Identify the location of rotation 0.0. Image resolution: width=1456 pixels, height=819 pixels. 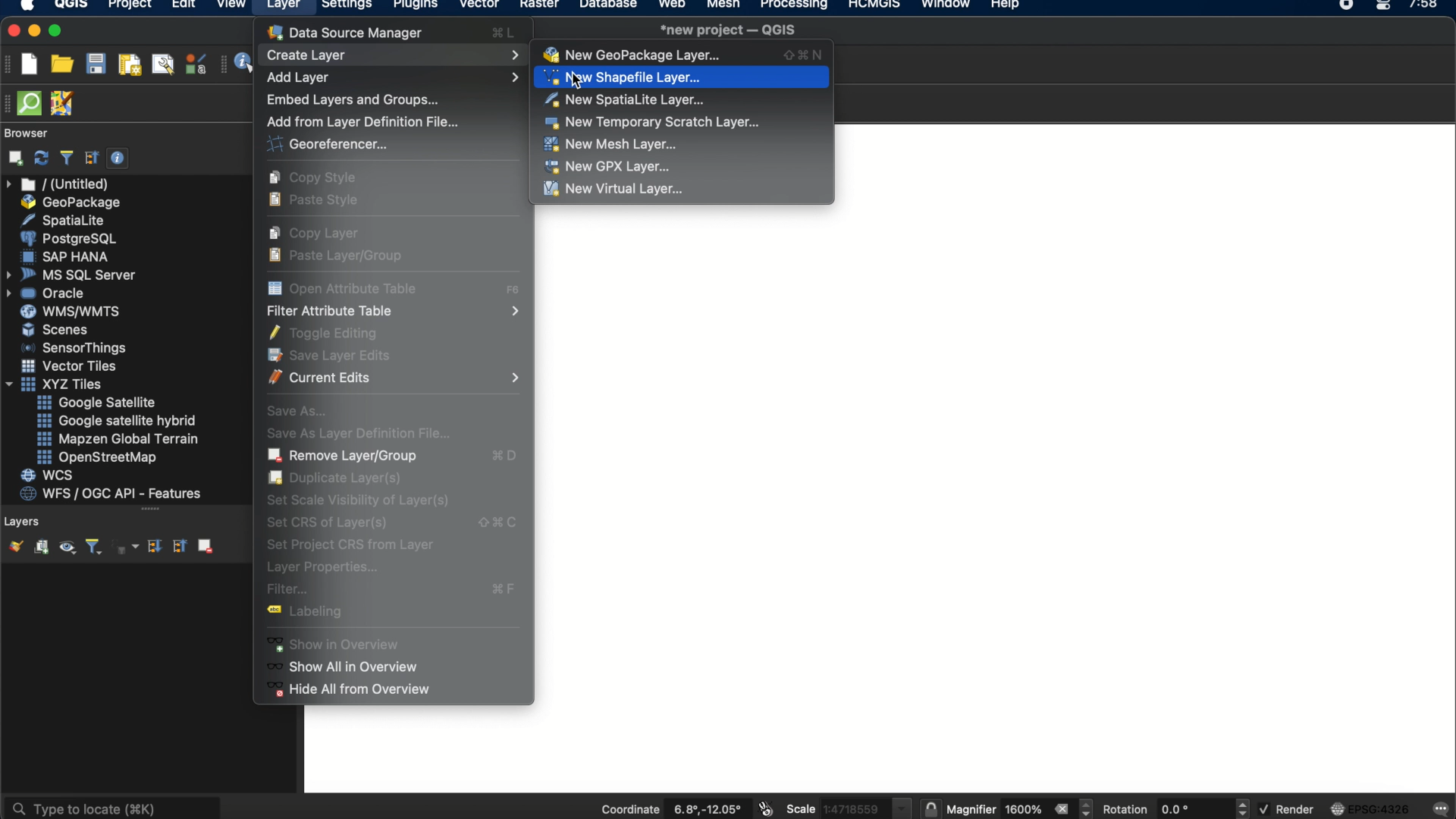
(1179, 808).